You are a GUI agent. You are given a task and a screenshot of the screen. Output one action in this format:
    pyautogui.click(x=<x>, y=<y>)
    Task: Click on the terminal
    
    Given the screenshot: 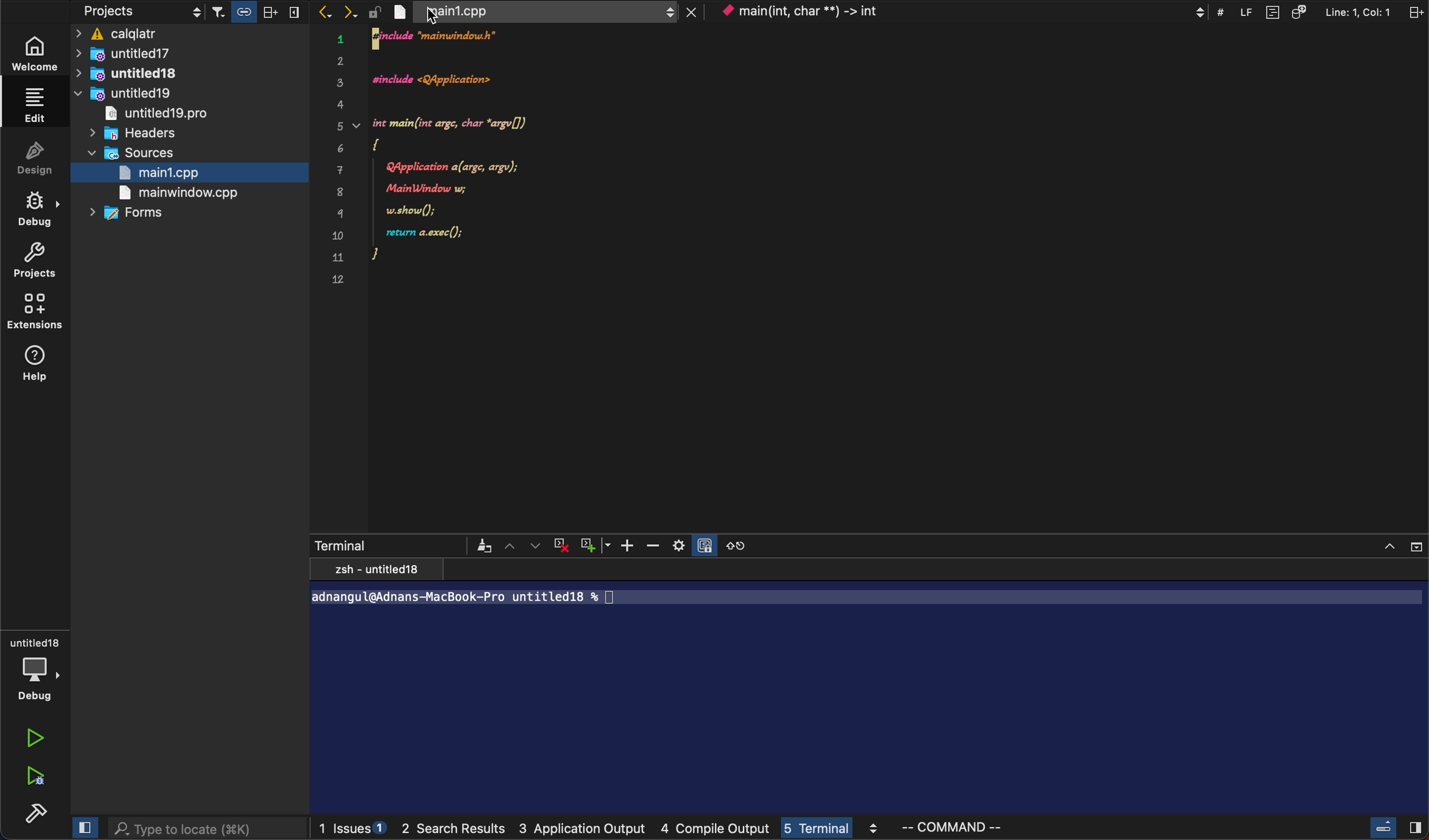 What is the action you would take?
    pyautogui.click(x=869, y=687)
    